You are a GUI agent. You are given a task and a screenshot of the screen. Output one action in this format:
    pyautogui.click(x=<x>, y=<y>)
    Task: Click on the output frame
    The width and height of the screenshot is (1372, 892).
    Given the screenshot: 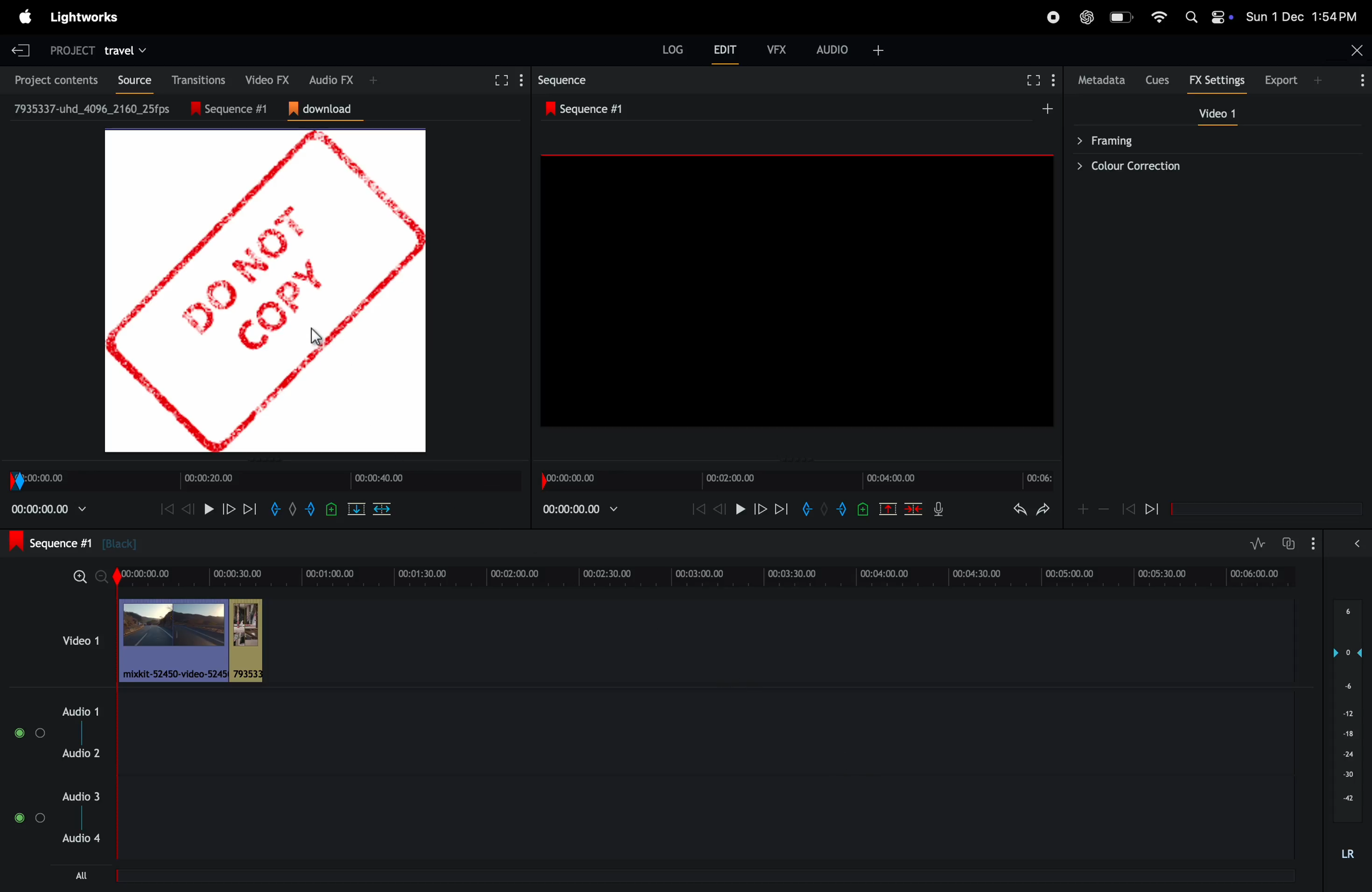 What is the action you would take?
    pyautogui.click(x=797, y=290)
    